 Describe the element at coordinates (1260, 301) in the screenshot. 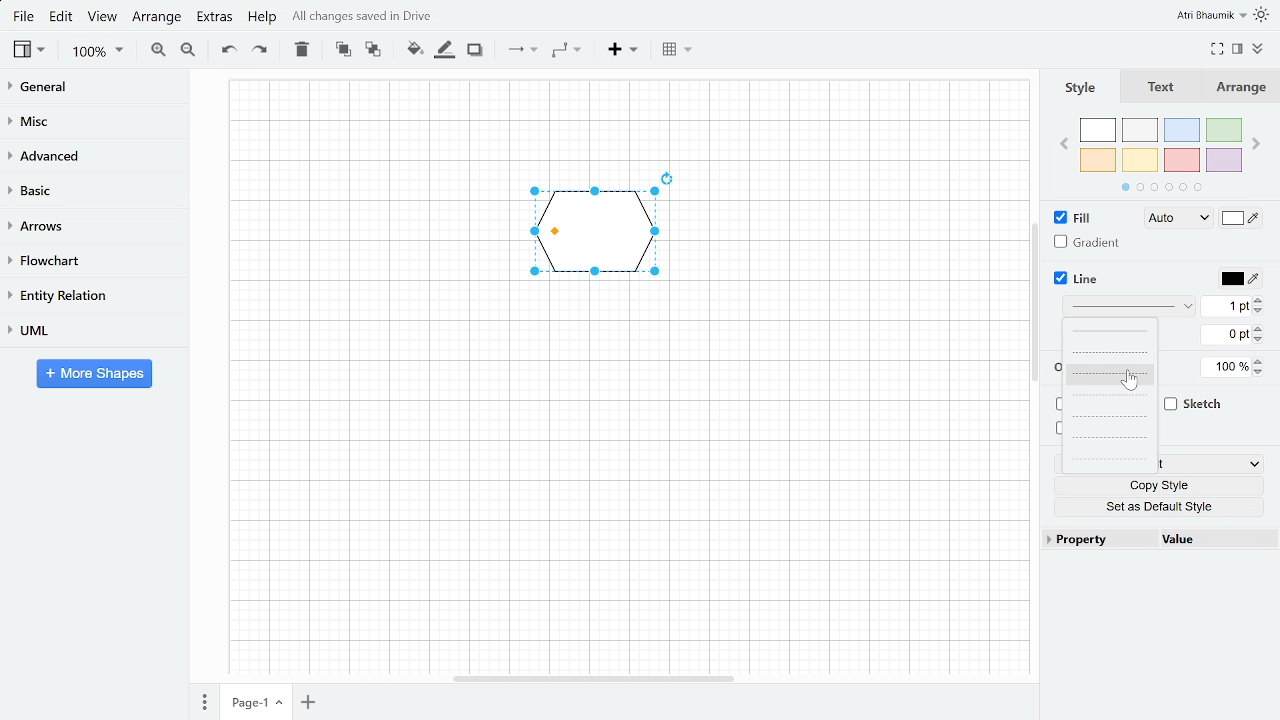

I see `Increase line width` at that location.